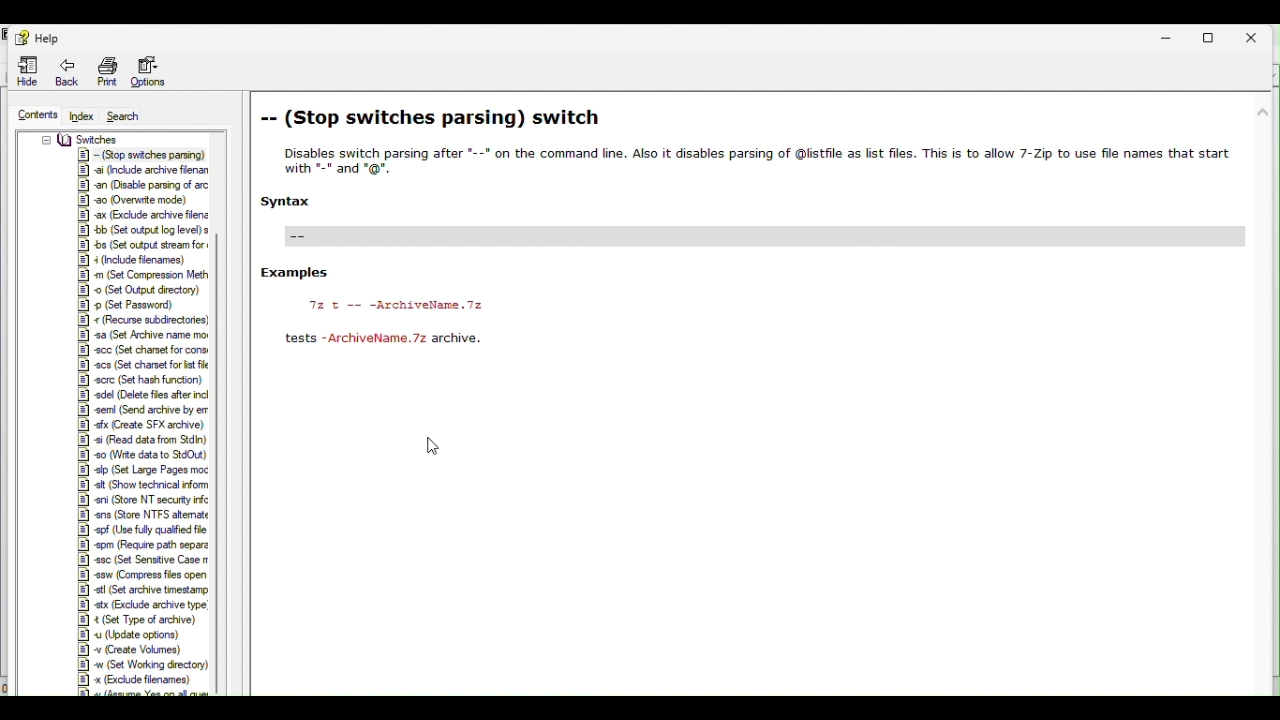  Describe the element at coordinates (1168, 39) in the screenshot. I see `Minimise` at that location.